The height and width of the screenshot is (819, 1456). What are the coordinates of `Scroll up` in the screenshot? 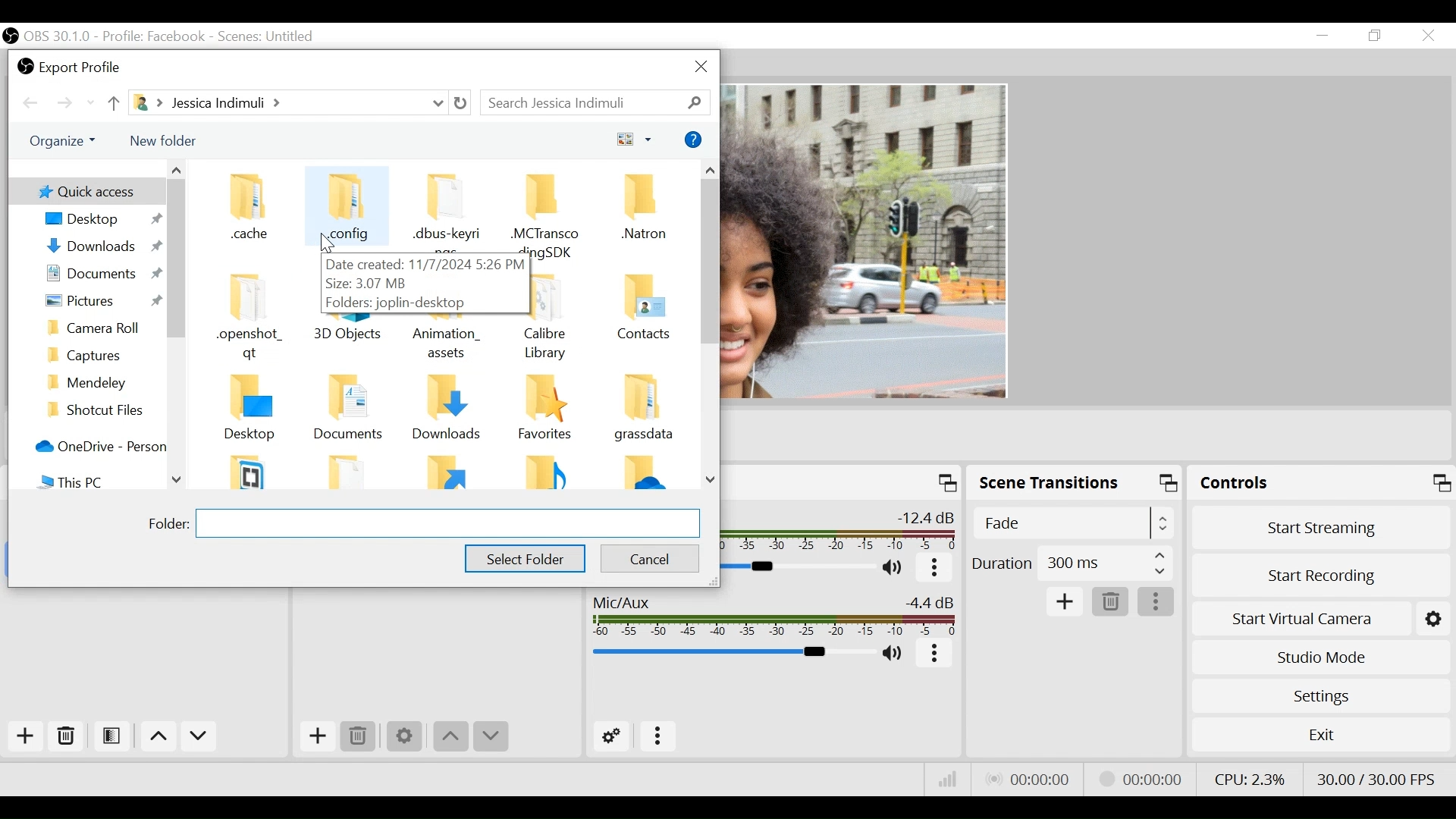 It's located at (711, 171).